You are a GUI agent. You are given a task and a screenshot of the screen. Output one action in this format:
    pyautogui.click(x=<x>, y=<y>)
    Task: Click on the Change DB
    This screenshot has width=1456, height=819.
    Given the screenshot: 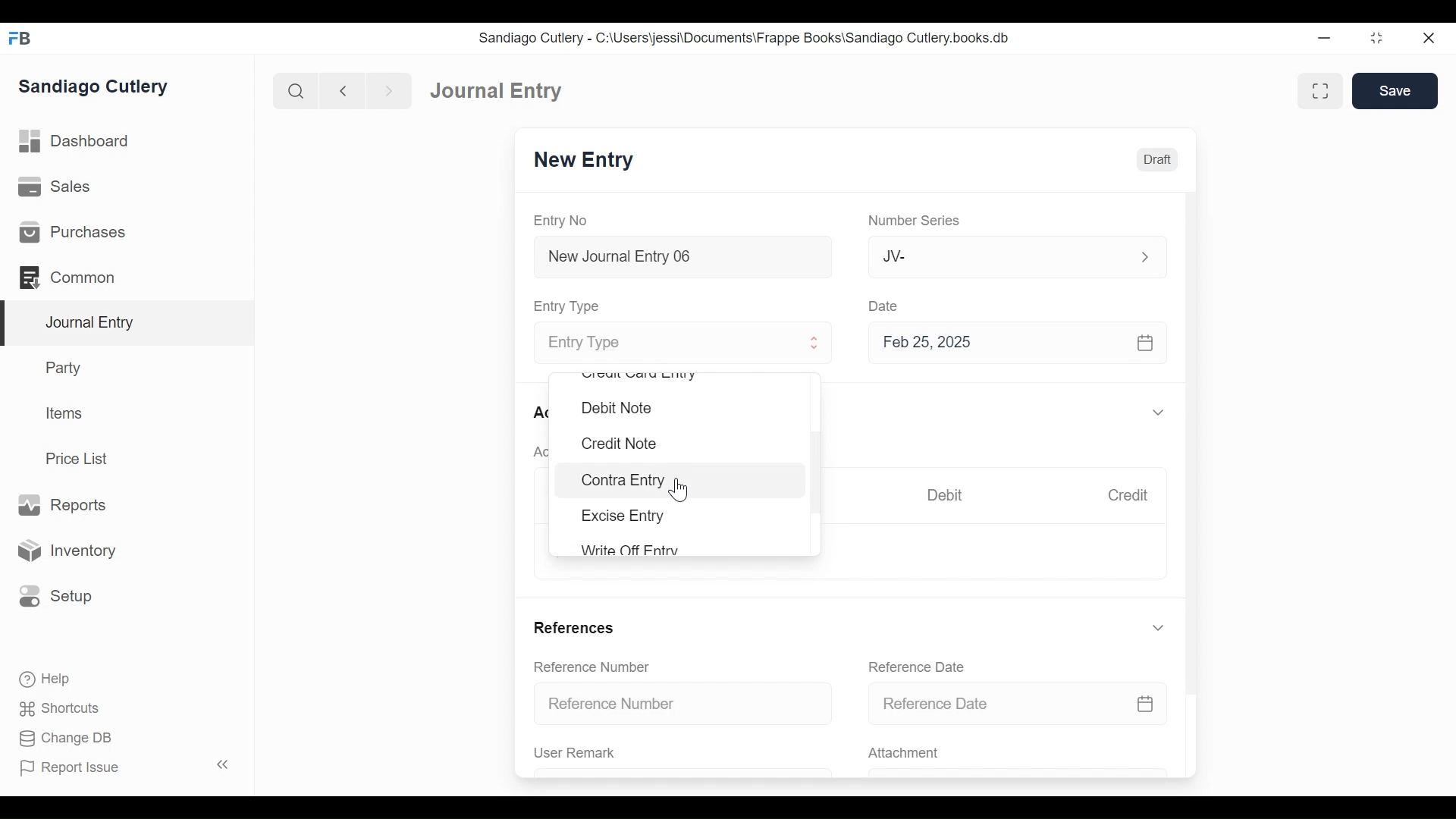 What is the action you would take?
    pyautogui.click(x=68, y=740)
    